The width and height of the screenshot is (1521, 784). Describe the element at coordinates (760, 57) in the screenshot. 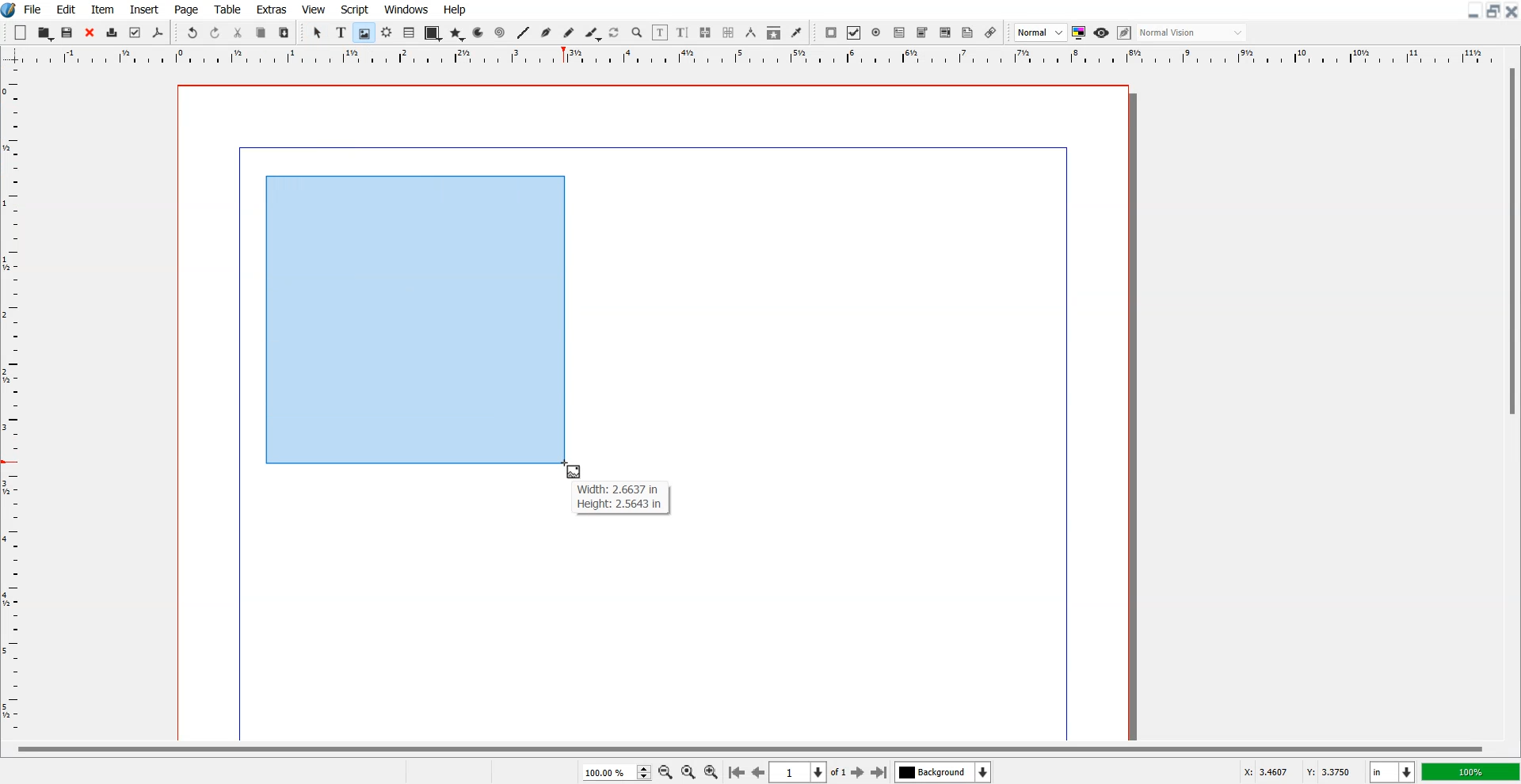

I see `Vertical Scale` at that location.